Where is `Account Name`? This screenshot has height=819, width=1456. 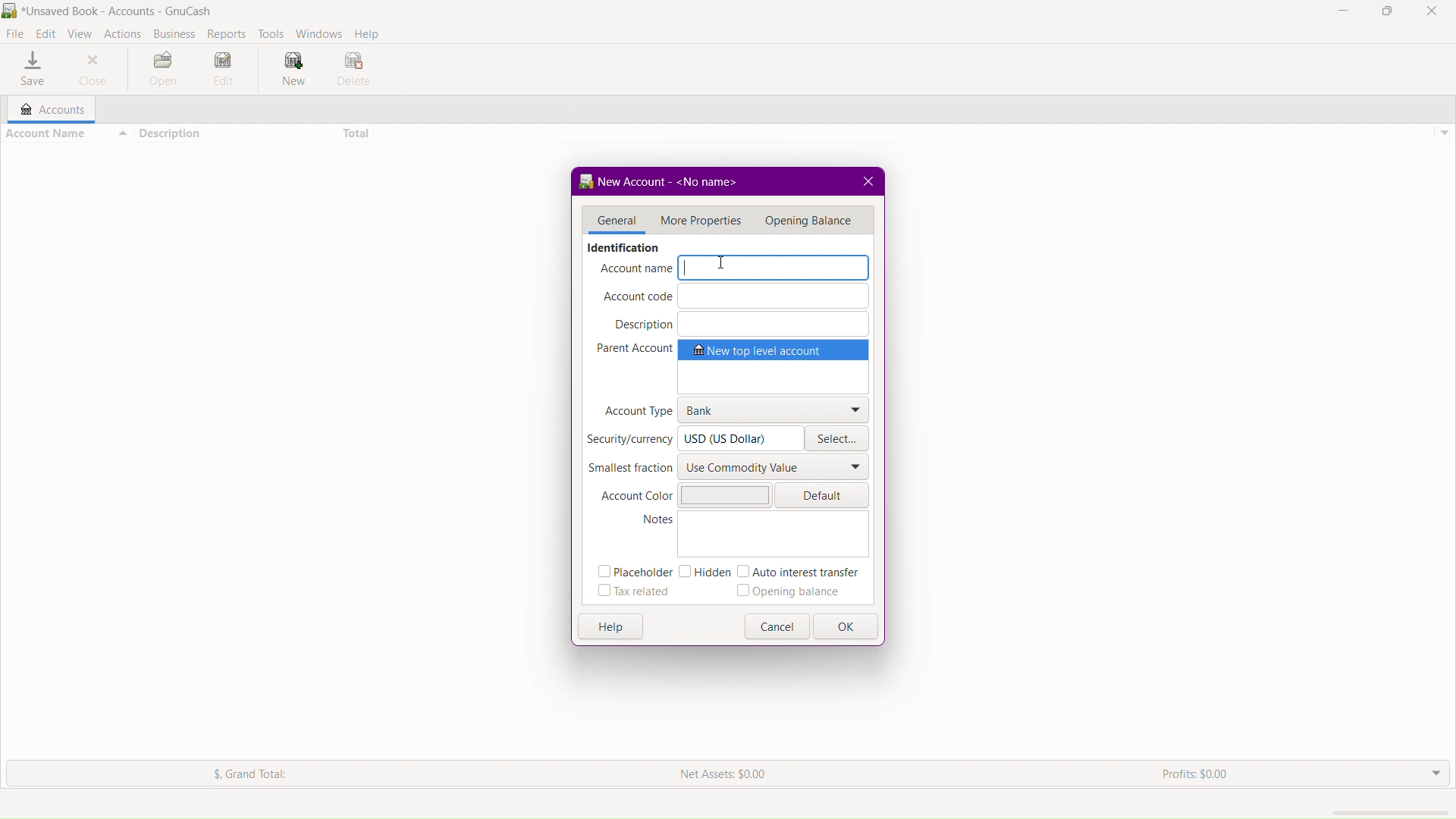
Account Name is located at coordinates (735, 269).